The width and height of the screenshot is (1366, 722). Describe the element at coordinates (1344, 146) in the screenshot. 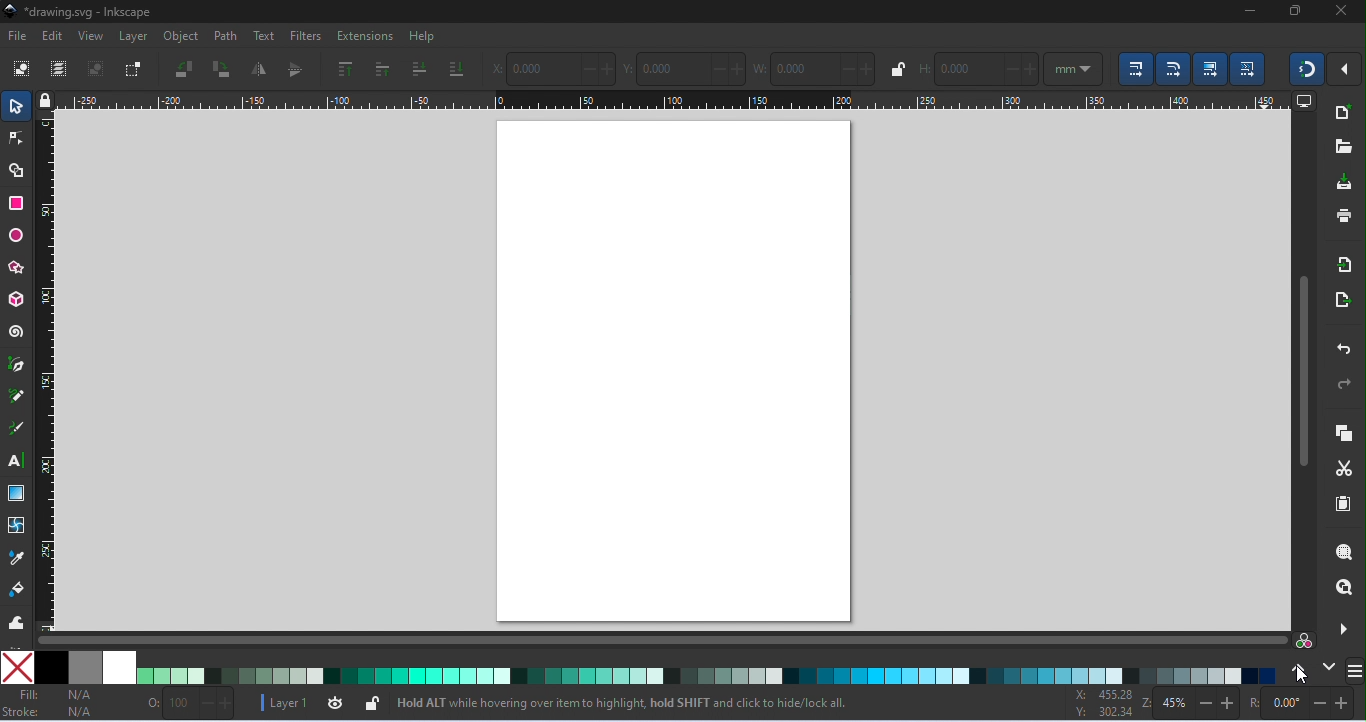

I see `open` at that location.